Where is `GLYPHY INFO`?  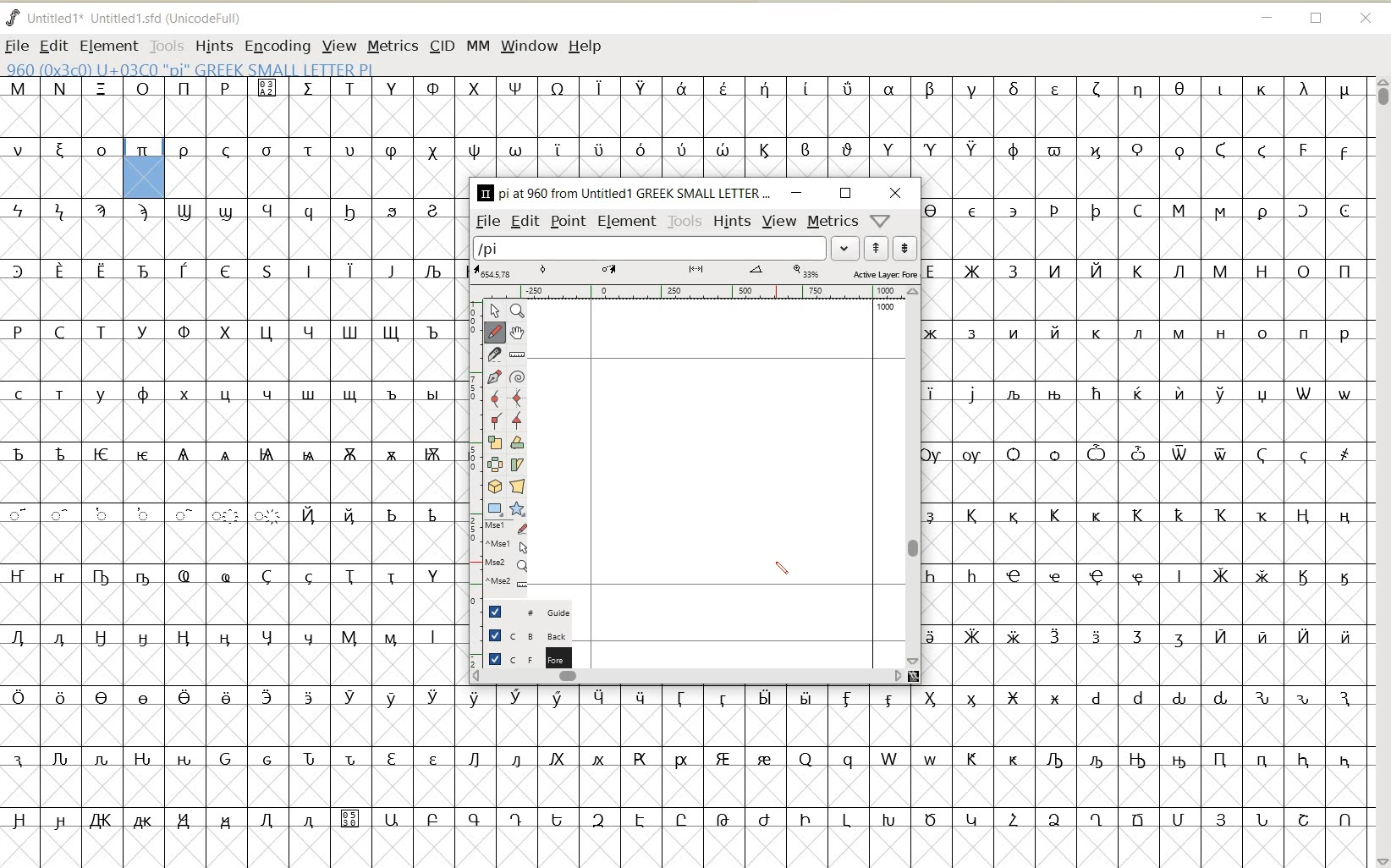
GLYPHY INFO is located at coordinates (190, 68).